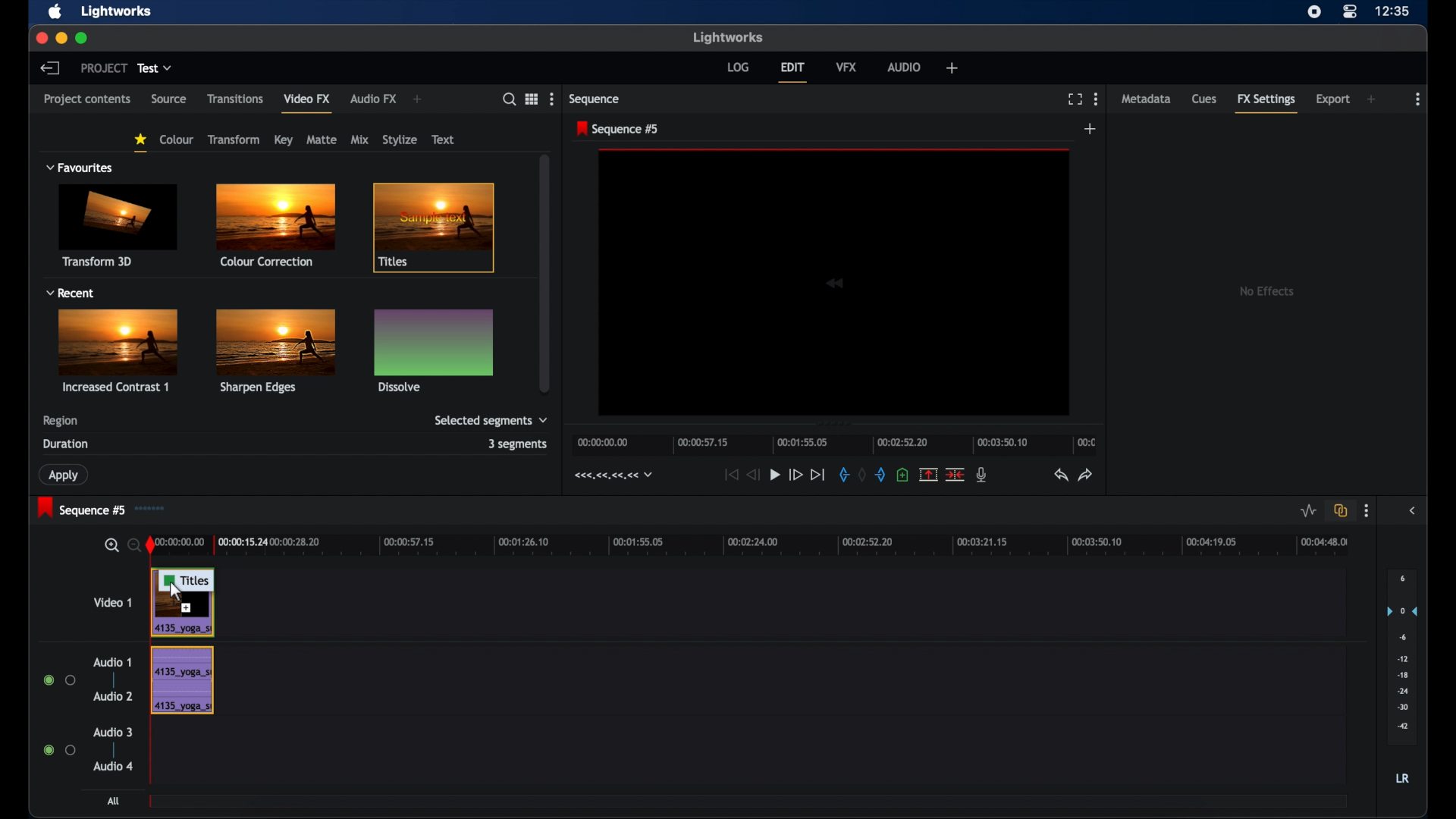  Describe the element at coordinates (155, 68) in the screenshot. I see `test dropdown` at that location.